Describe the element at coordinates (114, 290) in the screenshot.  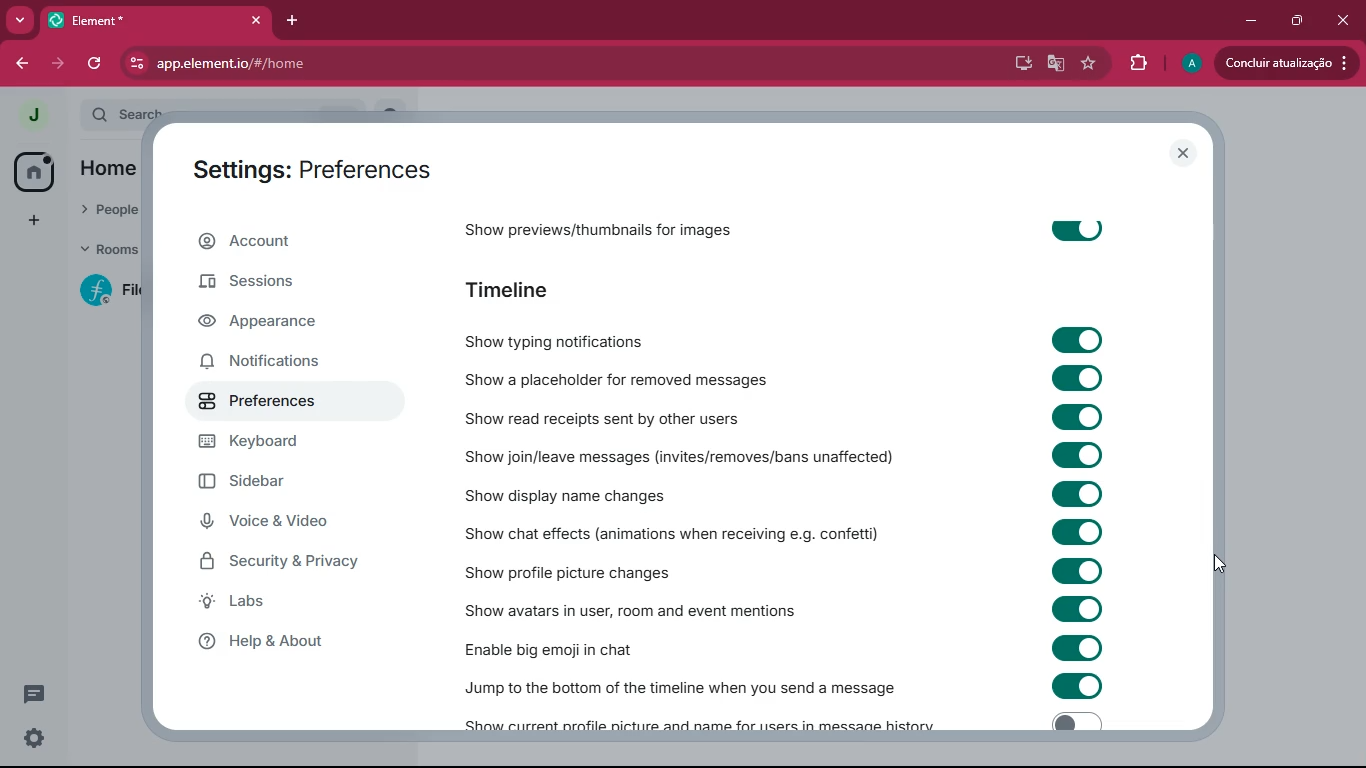
I see `file` at that location.